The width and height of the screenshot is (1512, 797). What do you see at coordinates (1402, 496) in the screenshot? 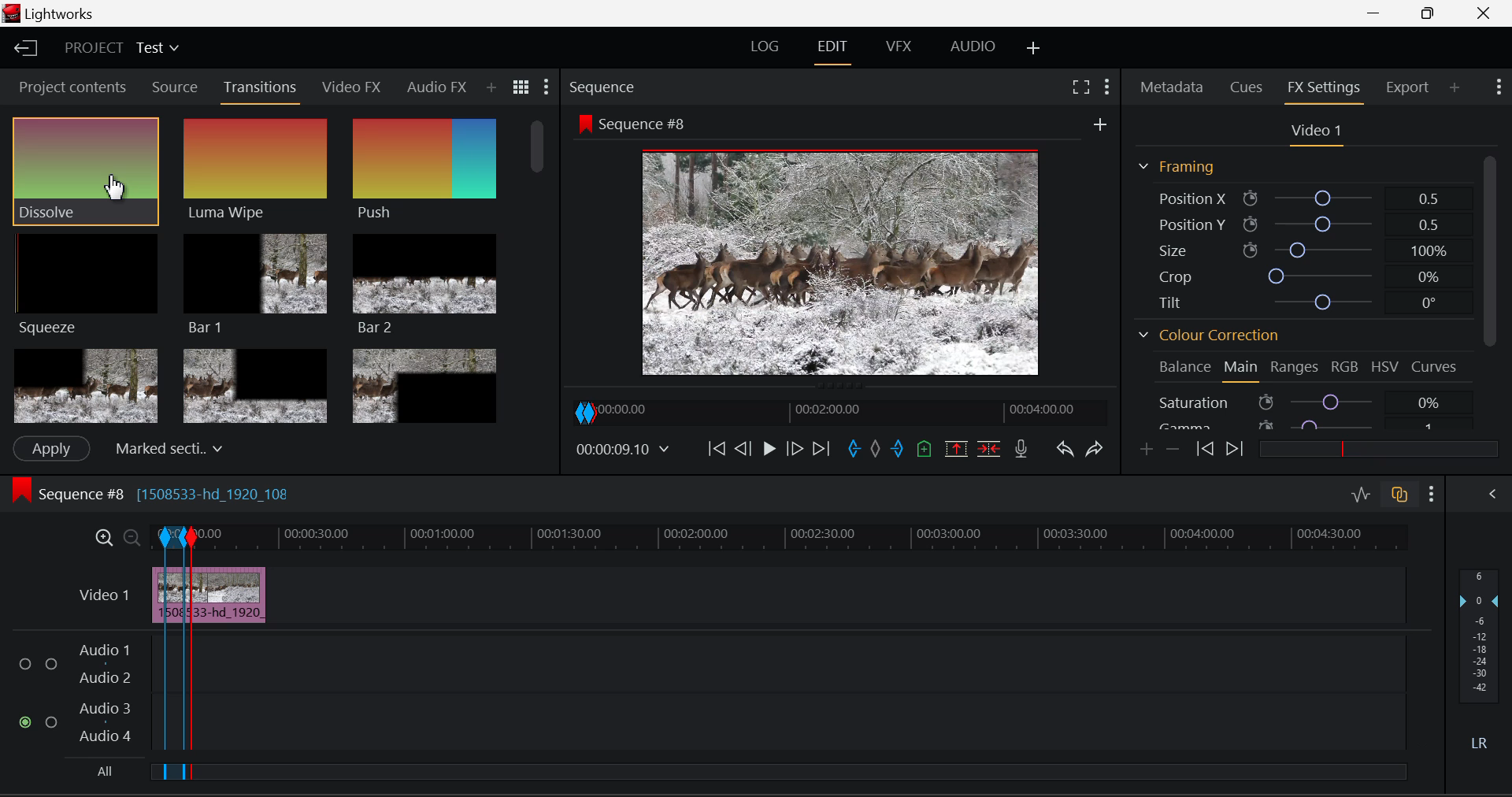
I see `Toggle Audio Track Sync` at bounding box center [1402, 496].